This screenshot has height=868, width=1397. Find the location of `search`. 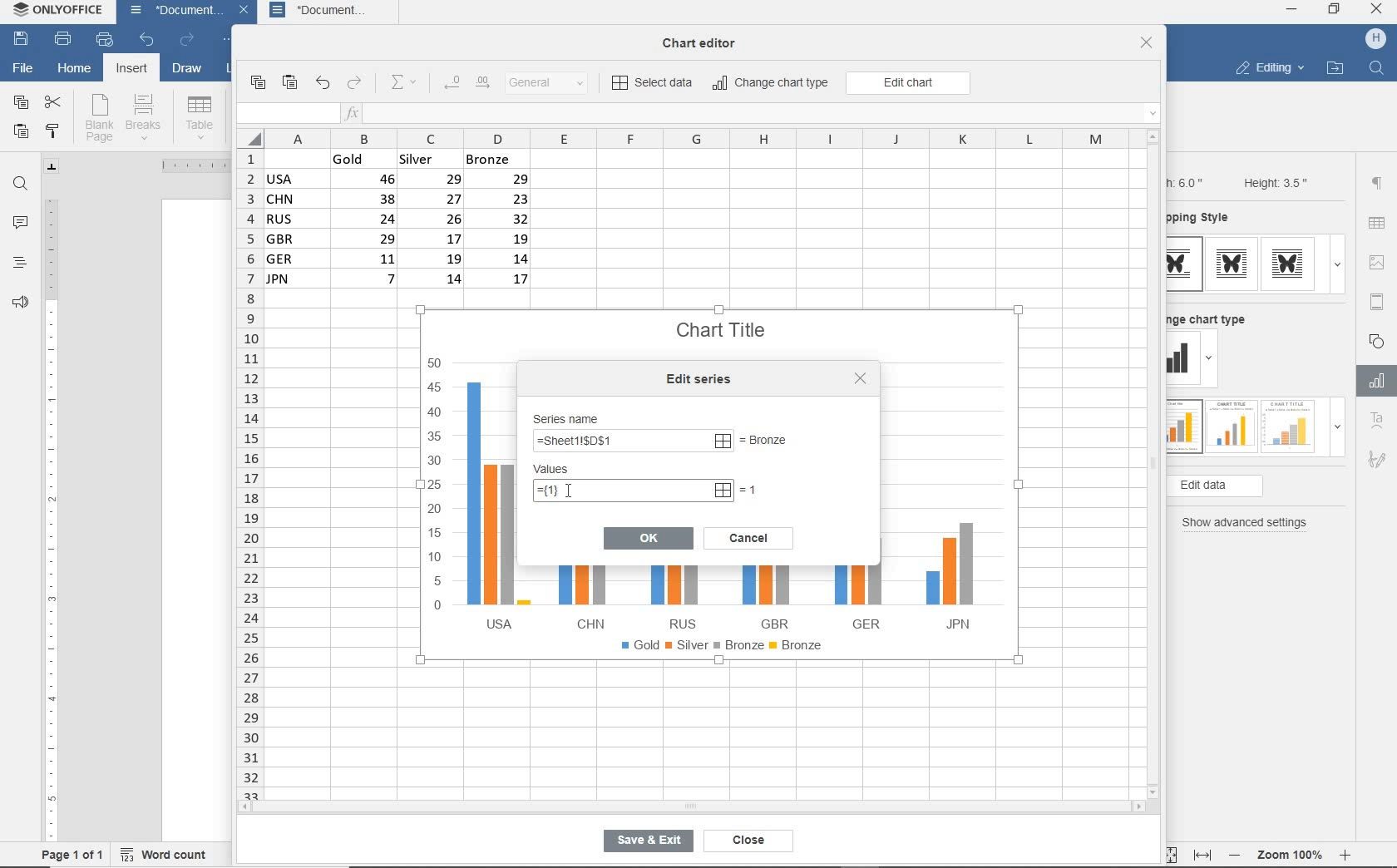

search is located at coordinates (1379, 67).